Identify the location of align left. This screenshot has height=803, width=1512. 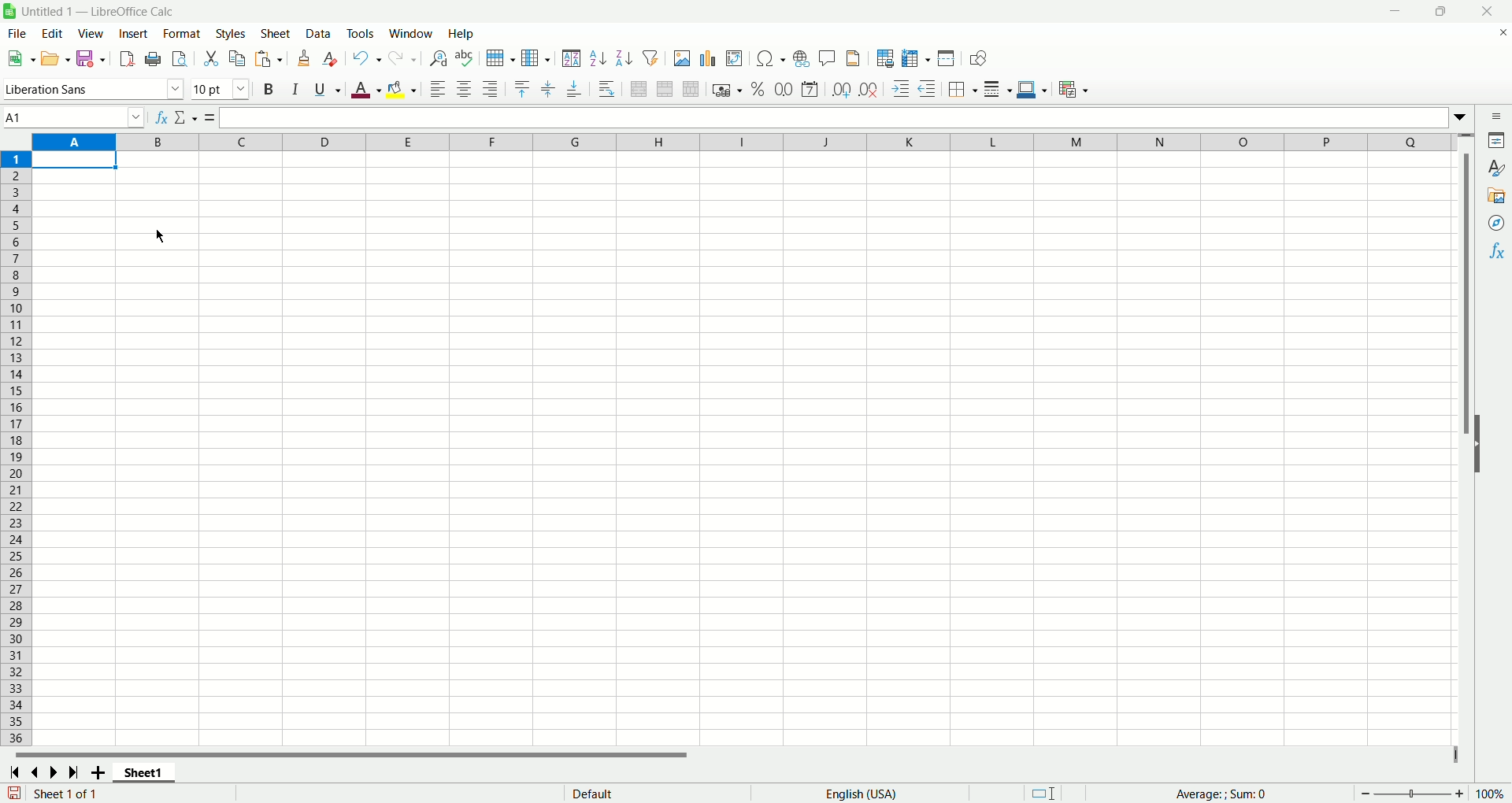
(438, 87).